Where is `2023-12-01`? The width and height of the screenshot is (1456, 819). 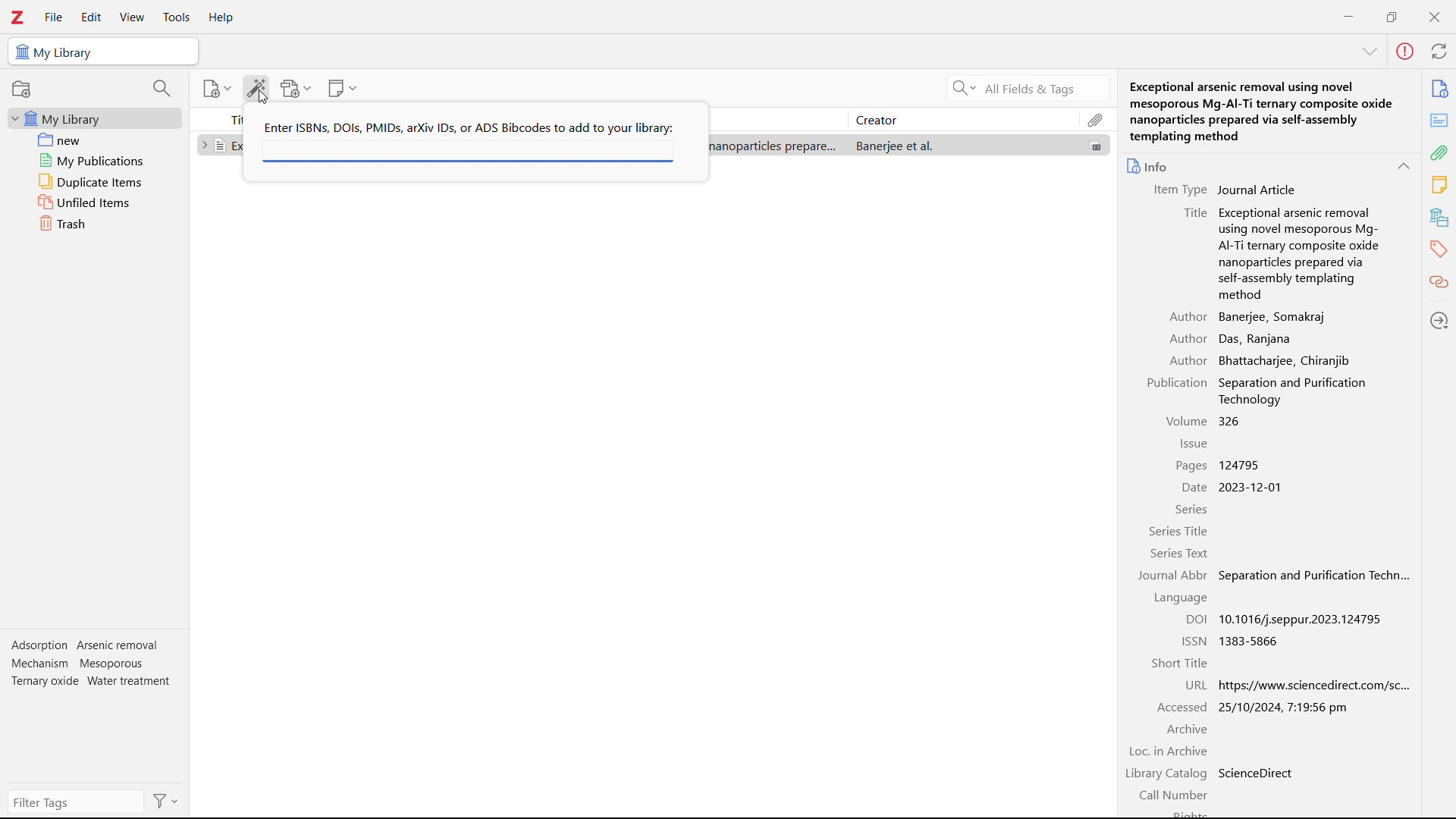
2023-12-01 is located at coordinates (1253, 488).